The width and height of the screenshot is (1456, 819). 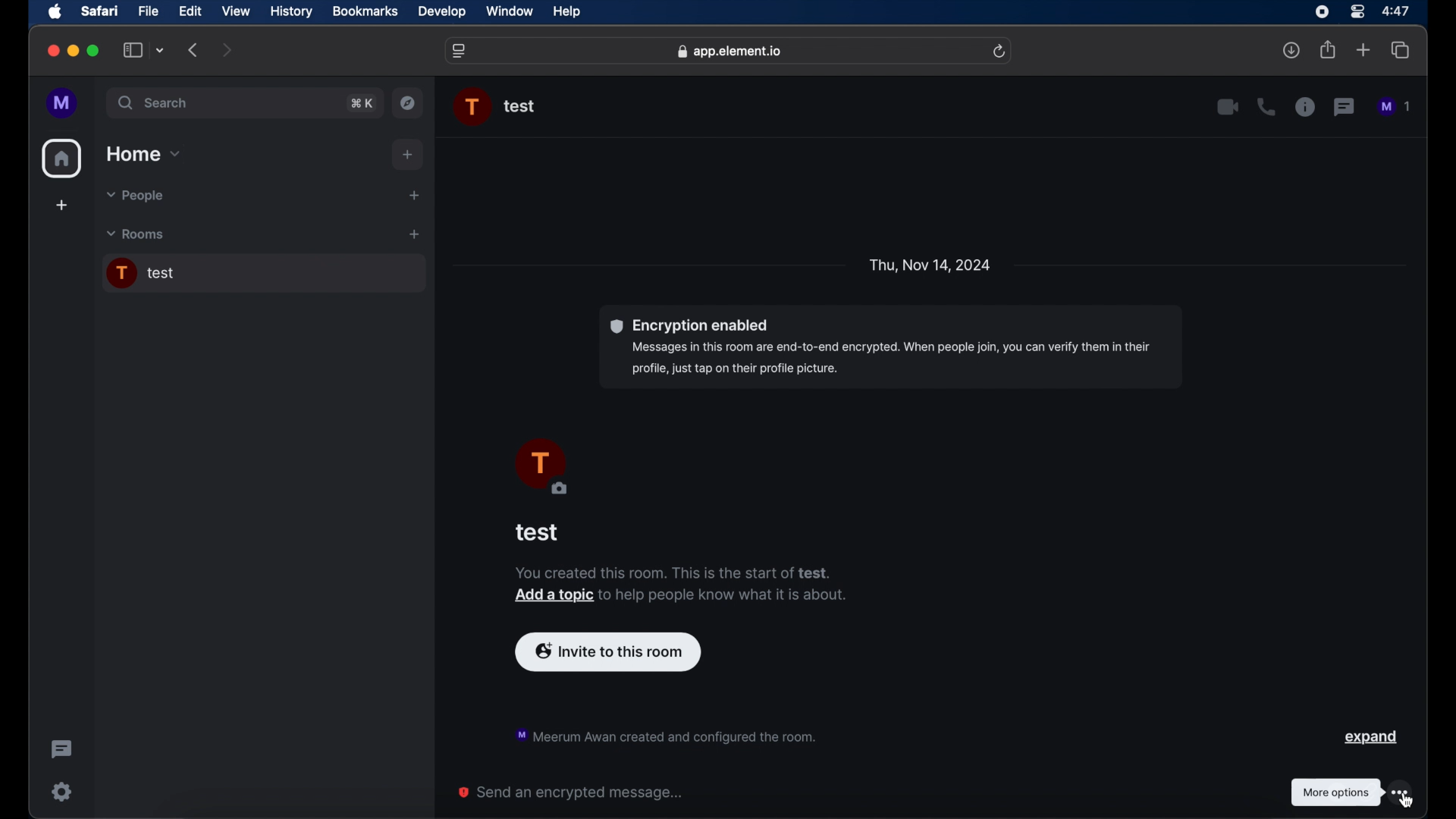 I want to click on safari, so click(x=100, y=12).